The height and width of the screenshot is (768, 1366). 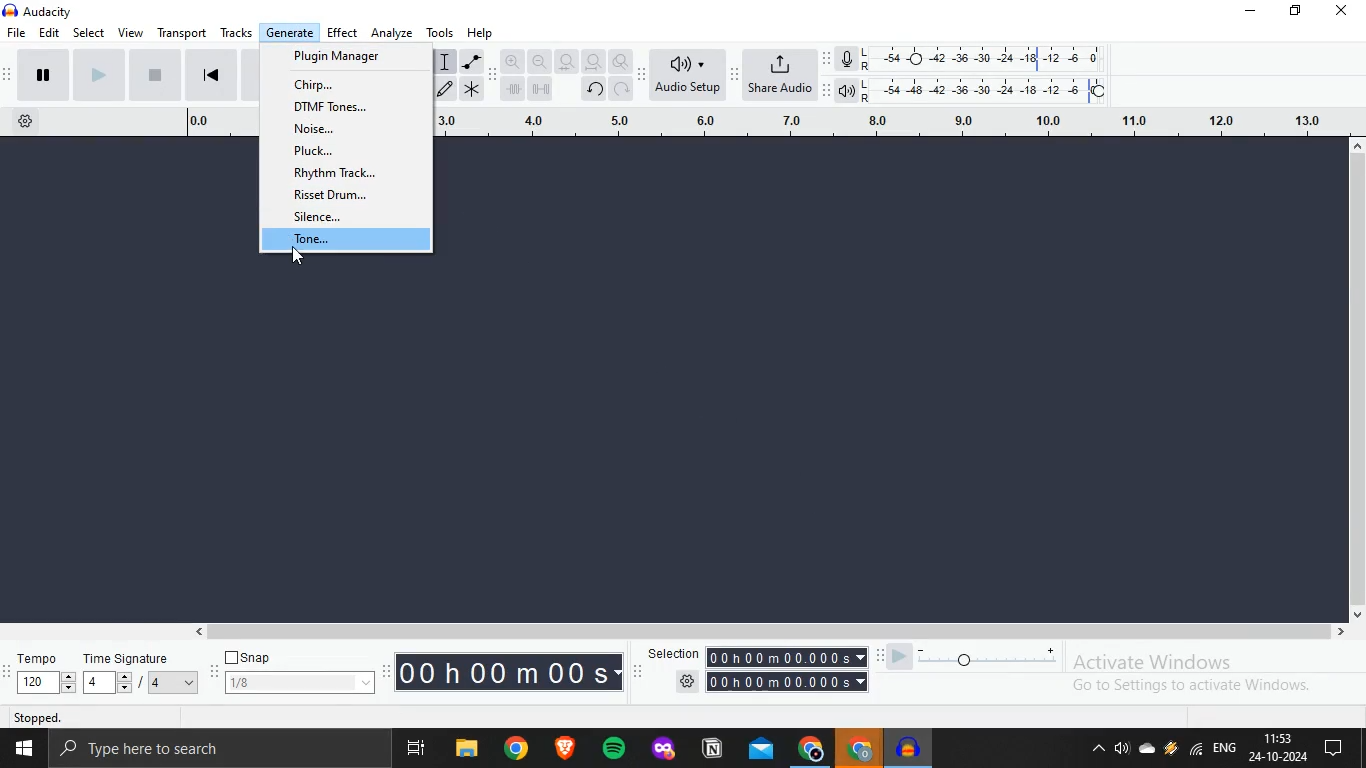 What do you see at coordinates (220, 749) in the screenshot?
I see `Search bar` at bounding box center [220, 749].